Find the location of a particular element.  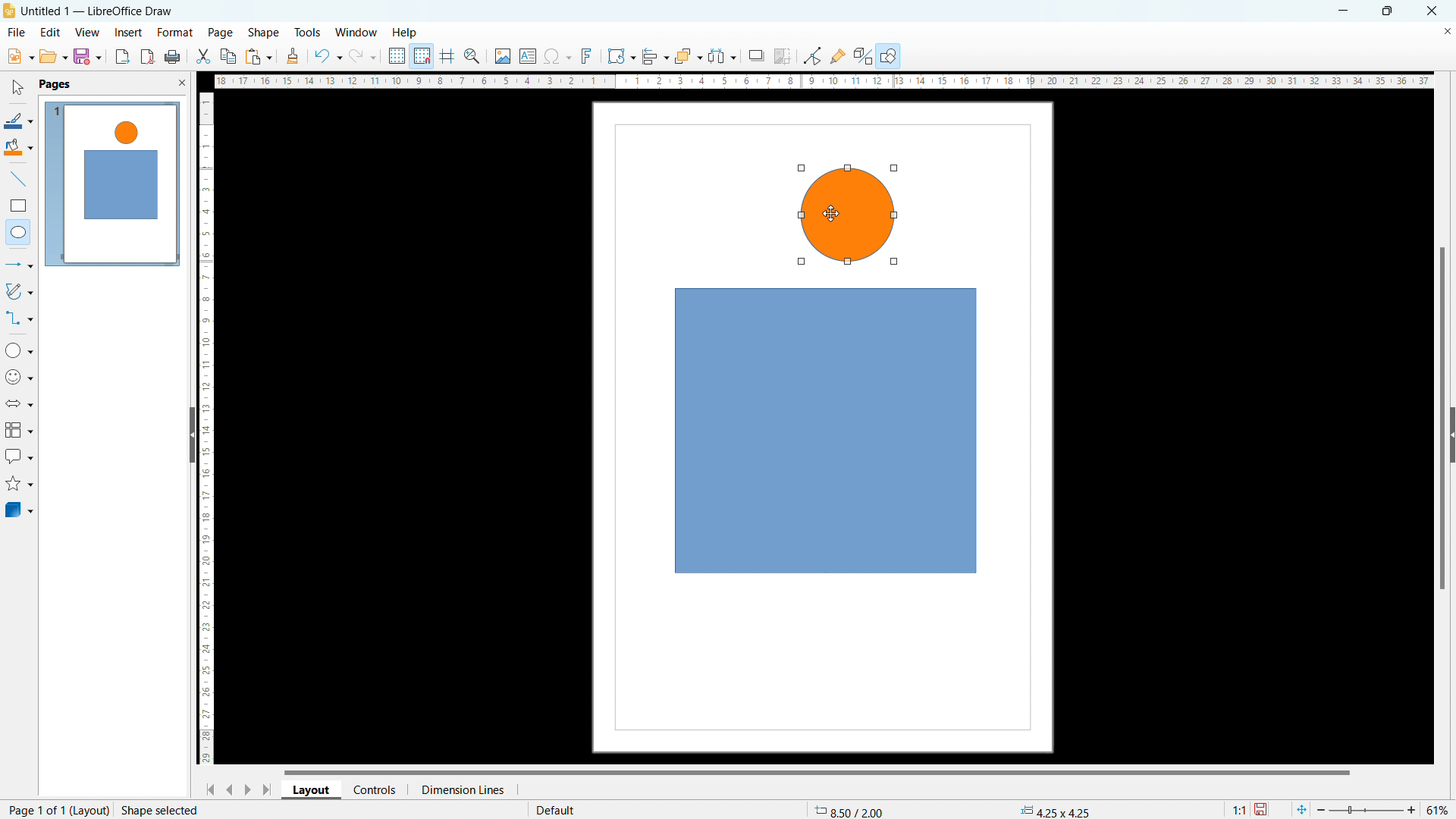

controls is located at coordinates (376, 789).